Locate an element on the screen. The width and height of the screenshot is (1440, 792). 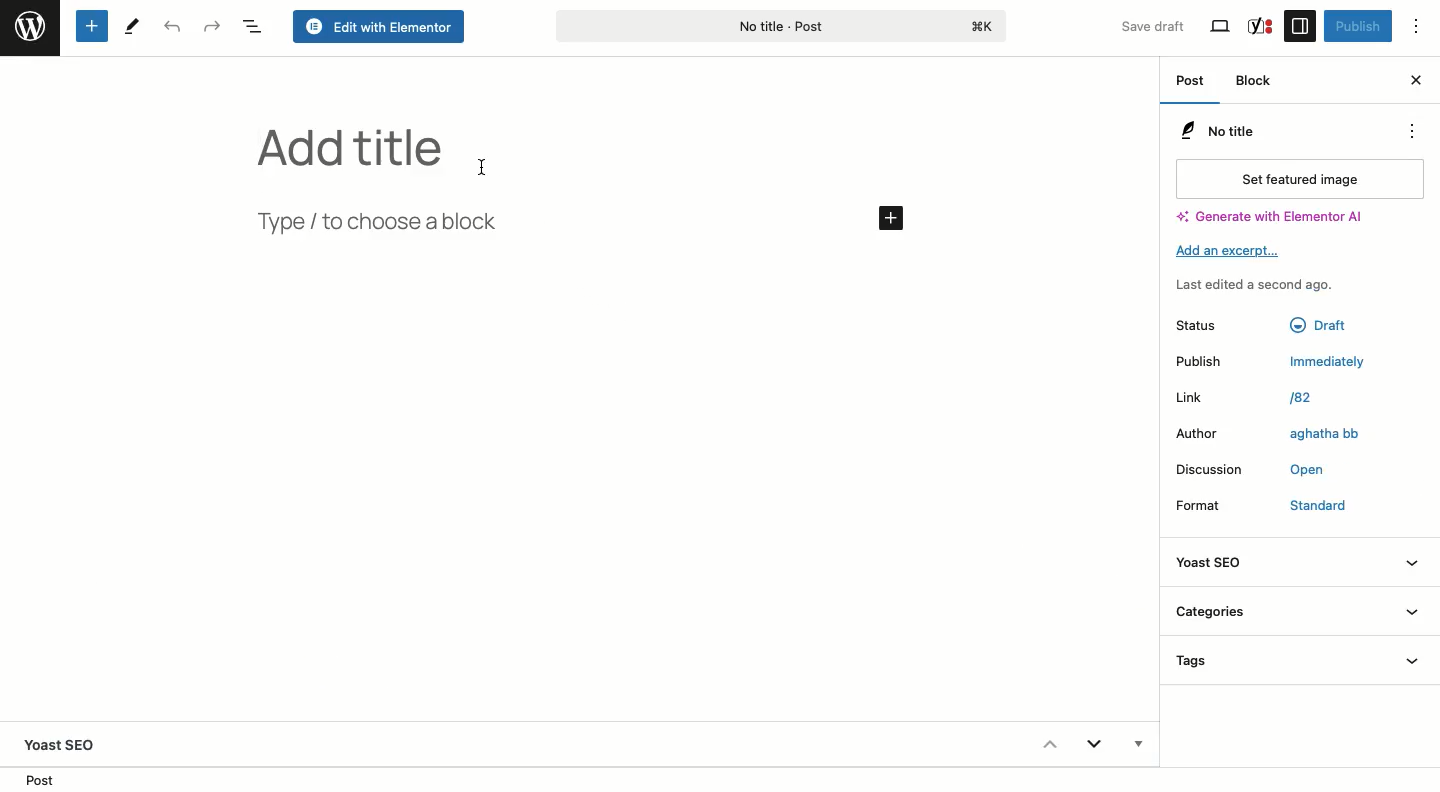
Post is located at coordinates (1192, 84).